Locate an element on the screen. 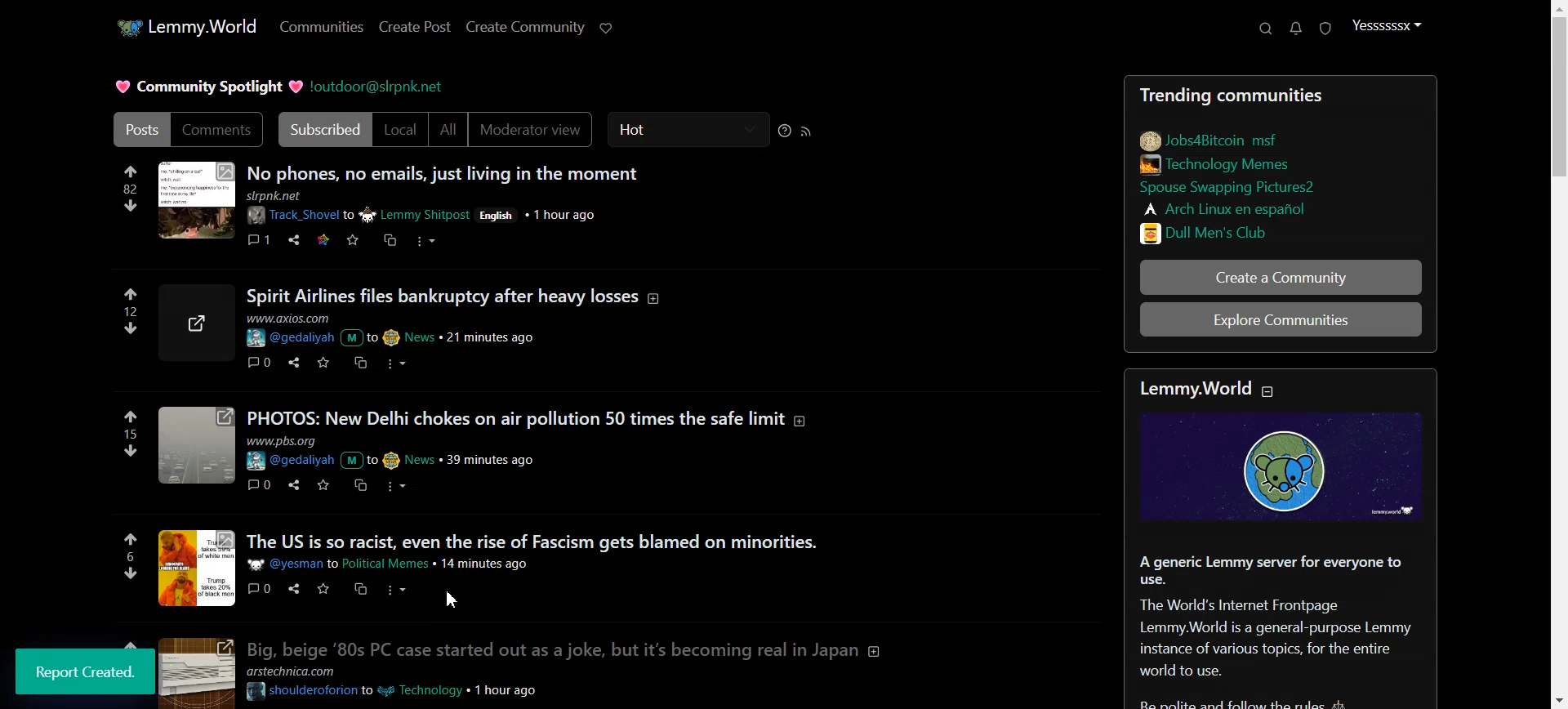 This screenshot has width=1568, height=709. downvote is located at coordinates (132, 449).